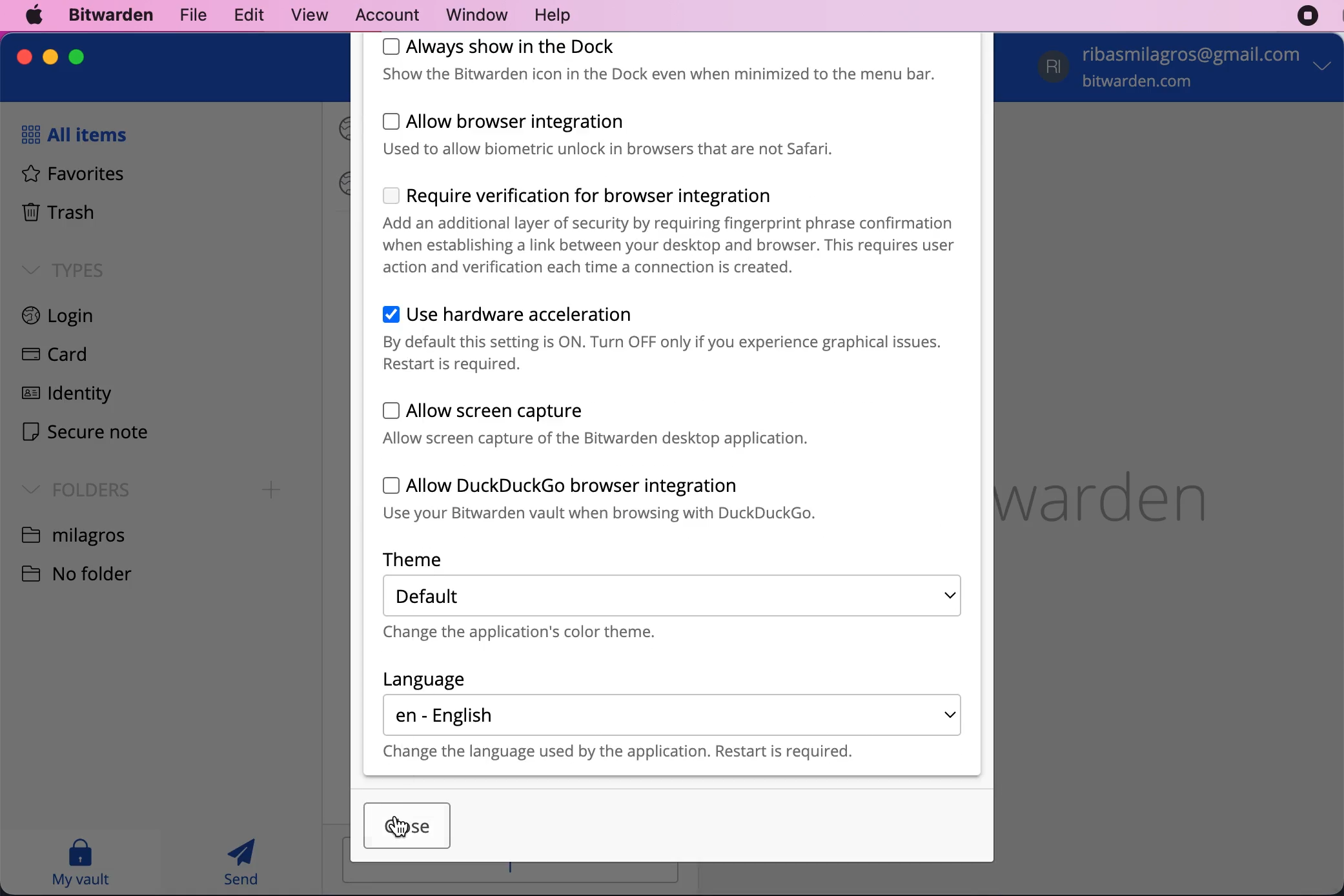 The height and width of the screenshot is (896, 1344). What do you see at coordinates (627, 500) in the screenshot?
I see `allow duckcuckgo browser integration` at bounding box center [627, 500].